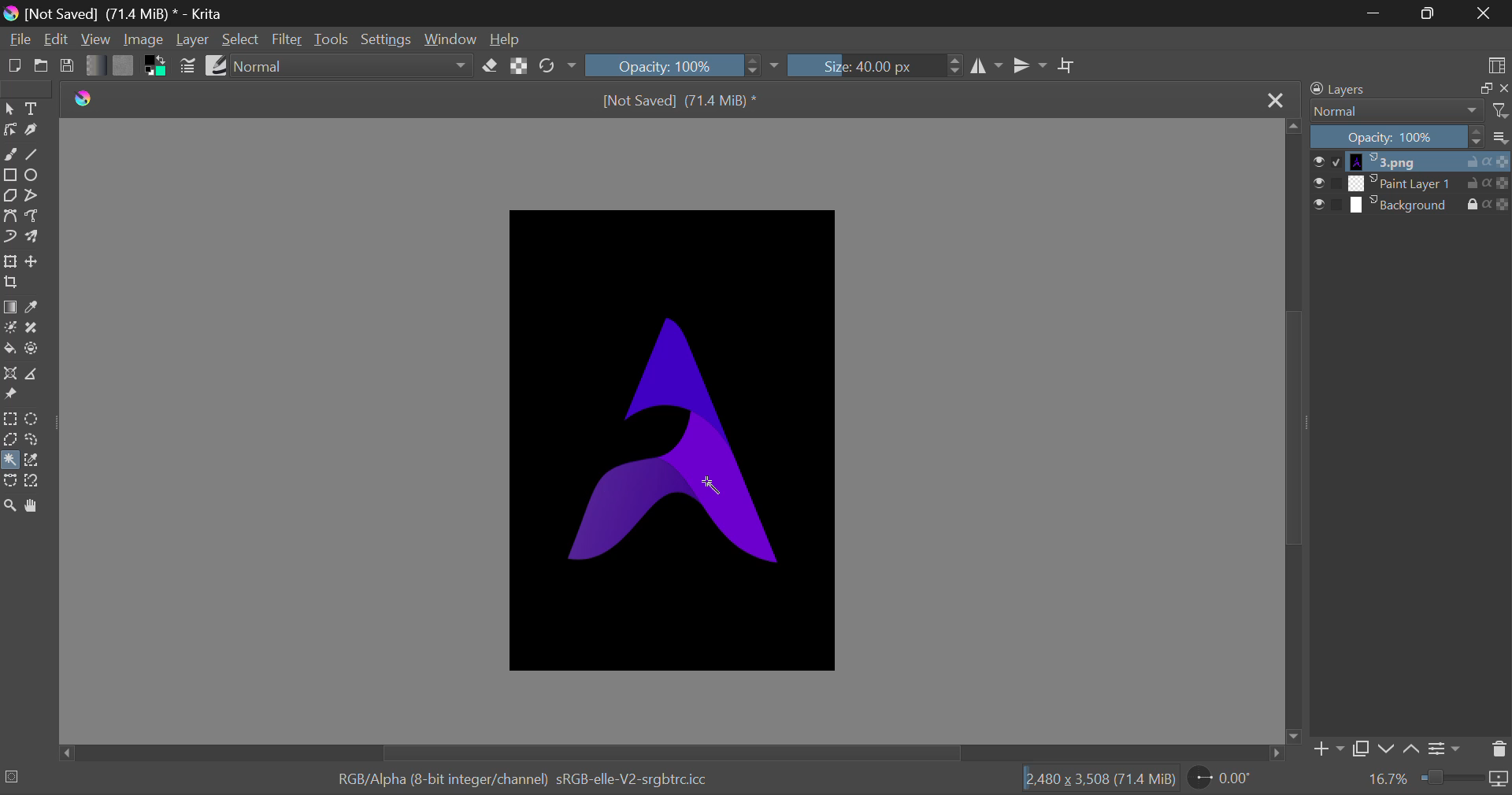 The image size is (1512, 795). I want to click on Gradient Fill, so click(10, 308).